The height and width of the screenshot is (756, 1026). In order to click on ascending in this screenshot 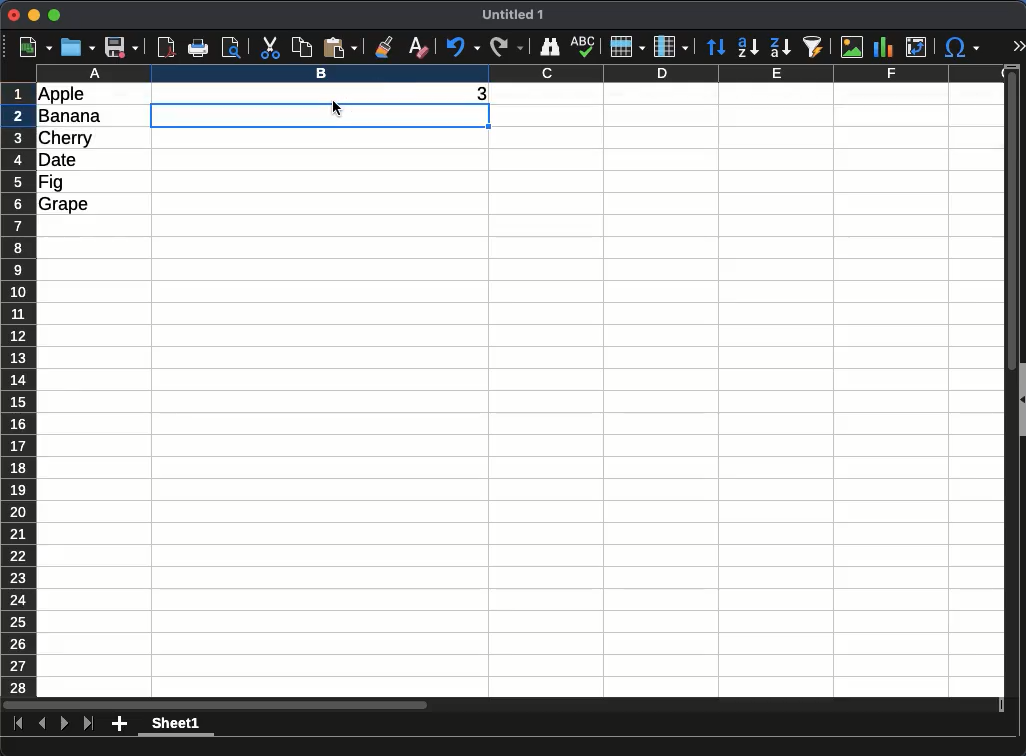, I will do `click(748, 48)`.